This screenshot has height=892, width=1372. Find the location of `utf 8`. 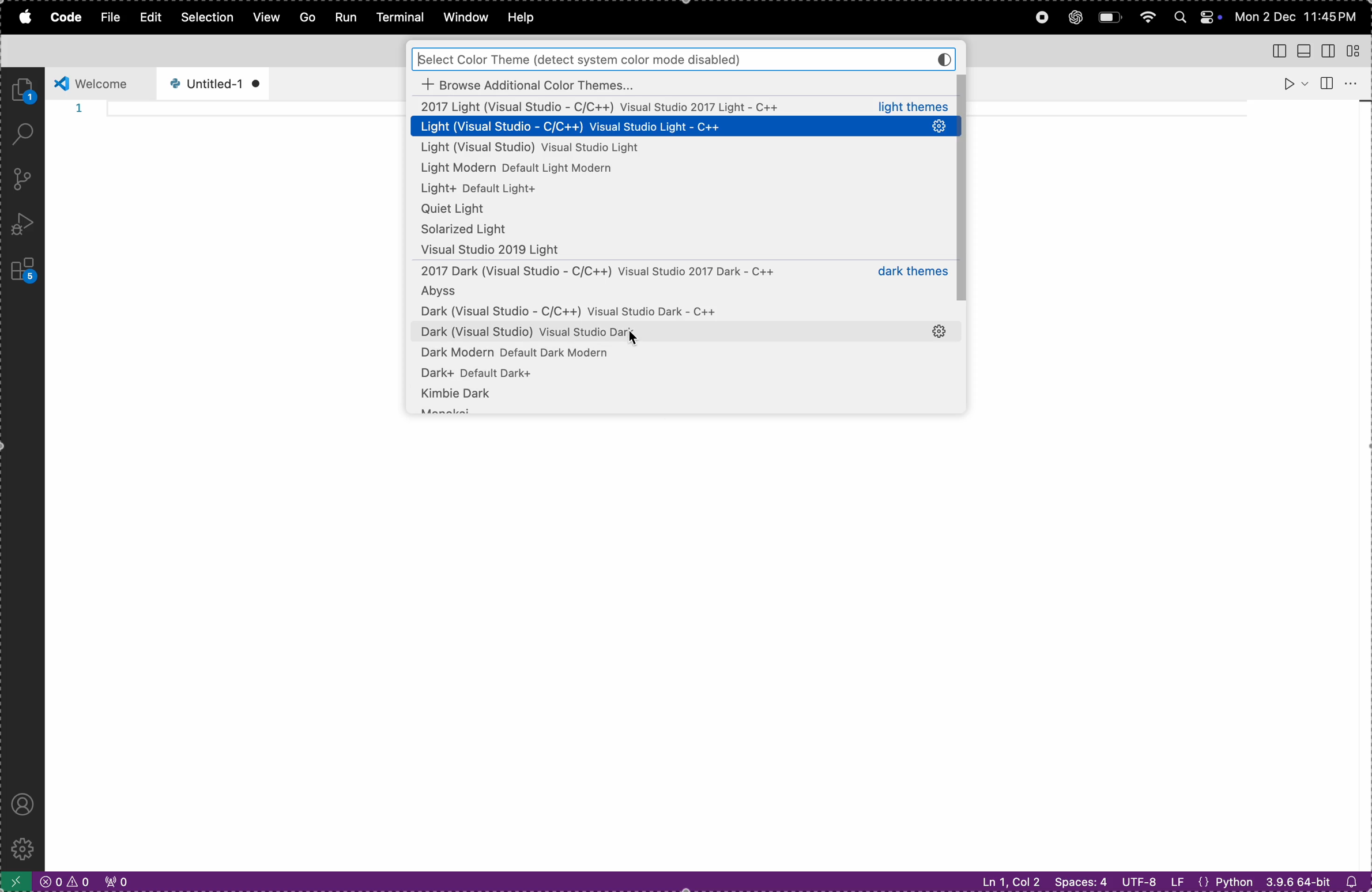

utf 8 is located at coordinates (1152, 881).